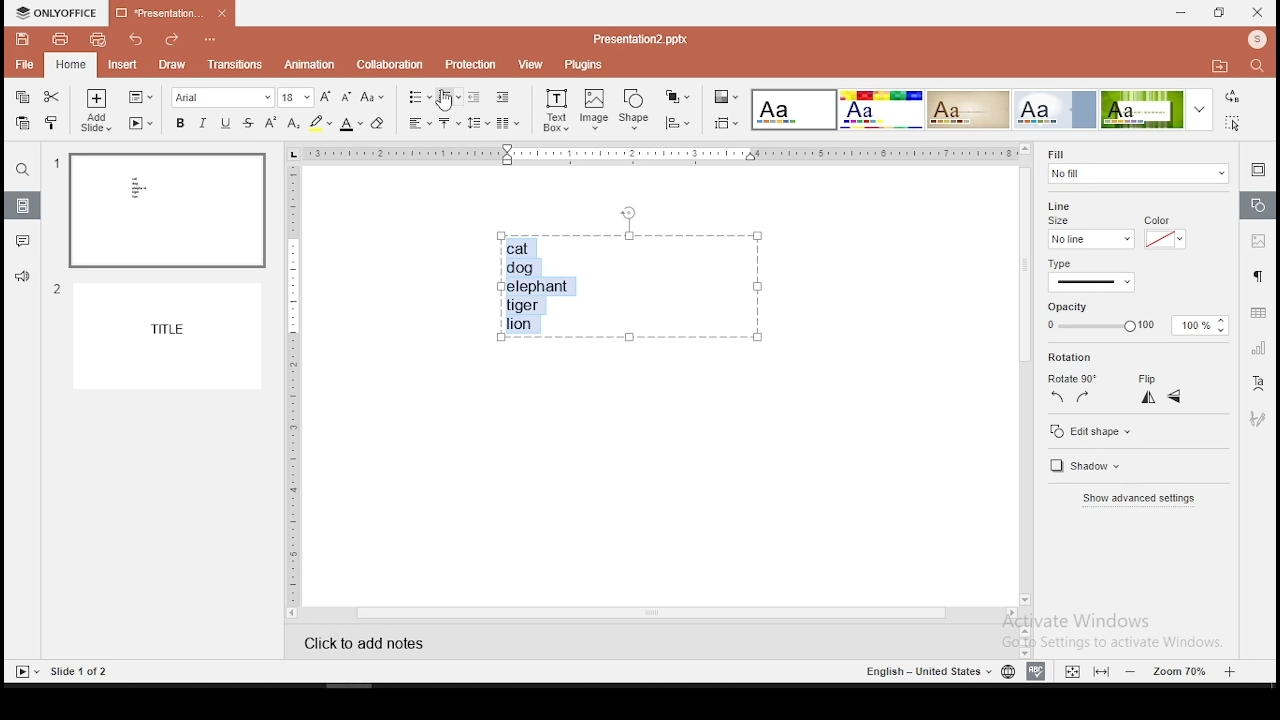  Describe the element at coordinates (474, 97) in the screenshot. I see `decrease indent` at that location.